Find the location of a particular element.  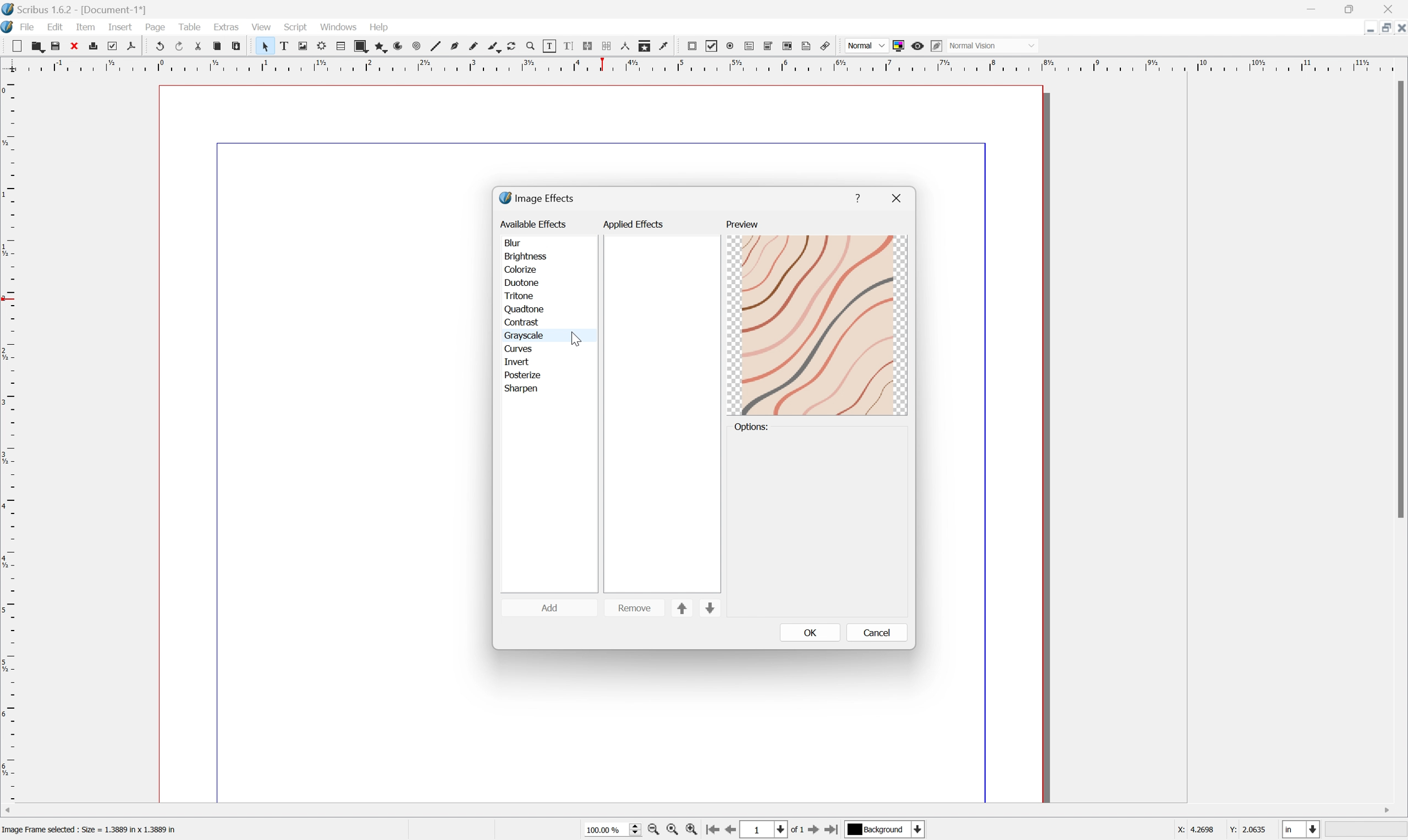

Normal is located at coordinates (865, 46).